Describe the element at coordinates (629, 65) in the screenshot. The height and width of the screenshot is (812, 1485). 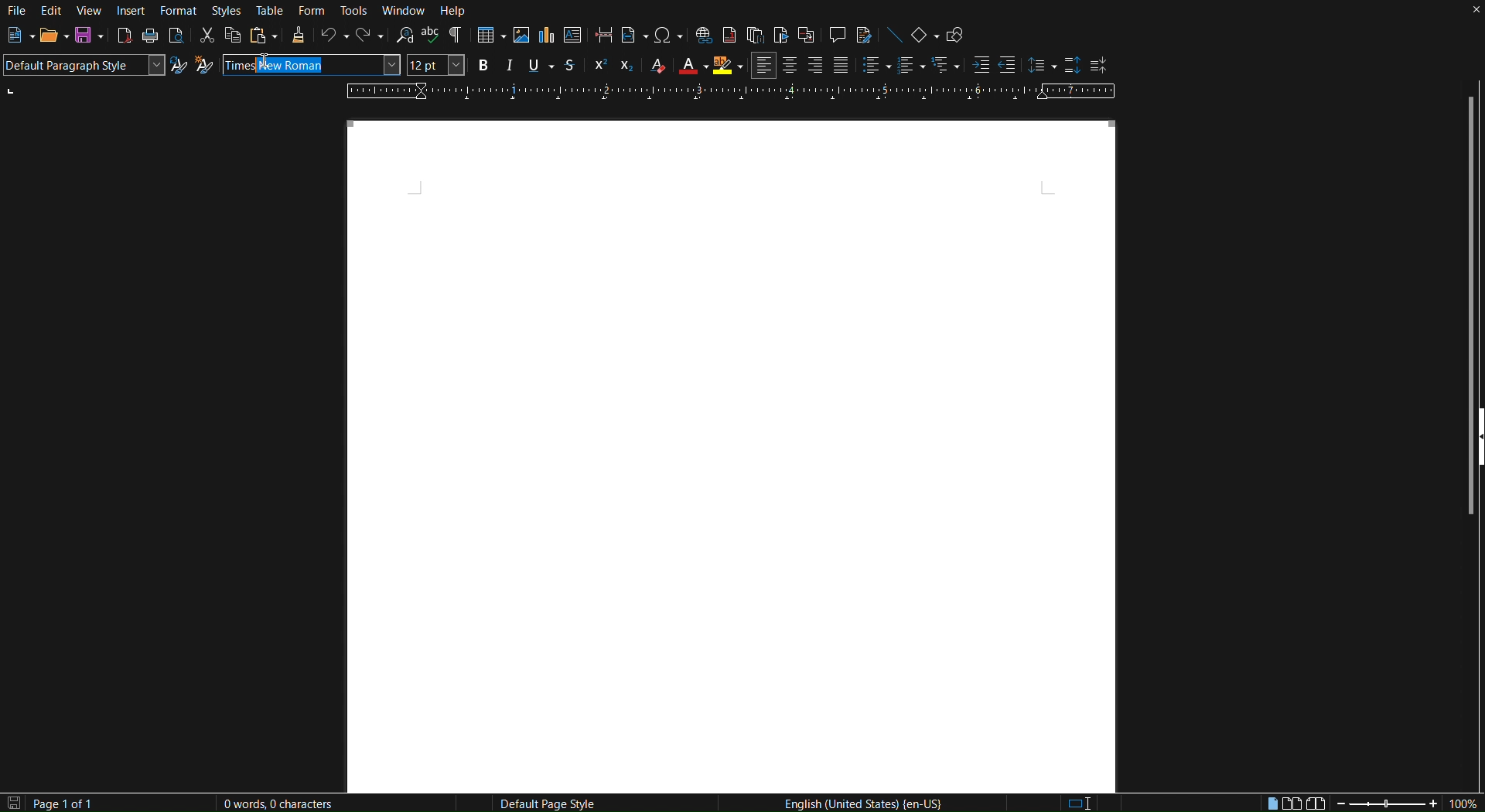
I see `Subscript` at that location.